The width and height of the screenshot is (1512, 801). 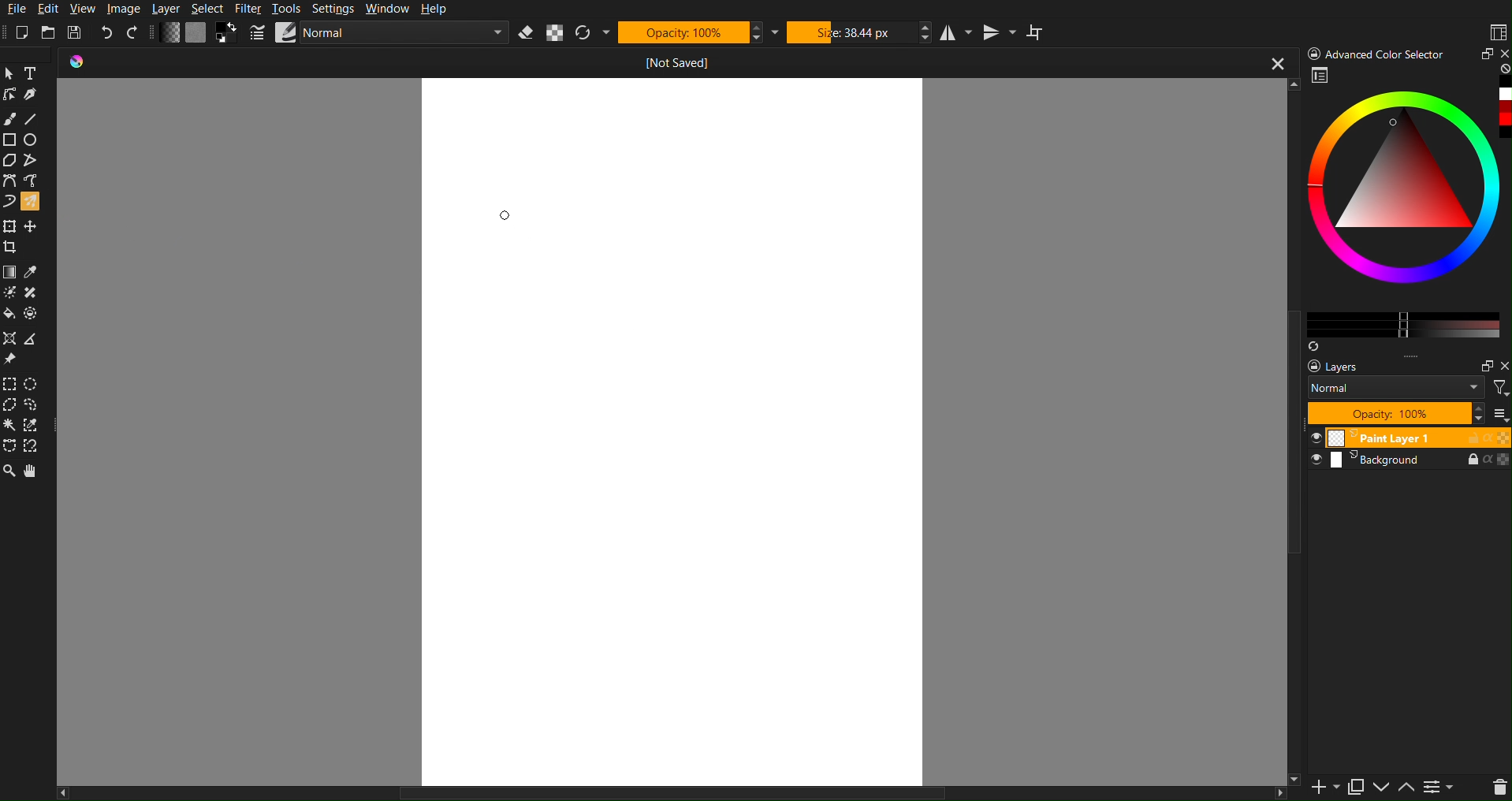 What do you see at coordinates (389, 9) in the screenshot?
I see `Window` at bounding box center [389, 9].